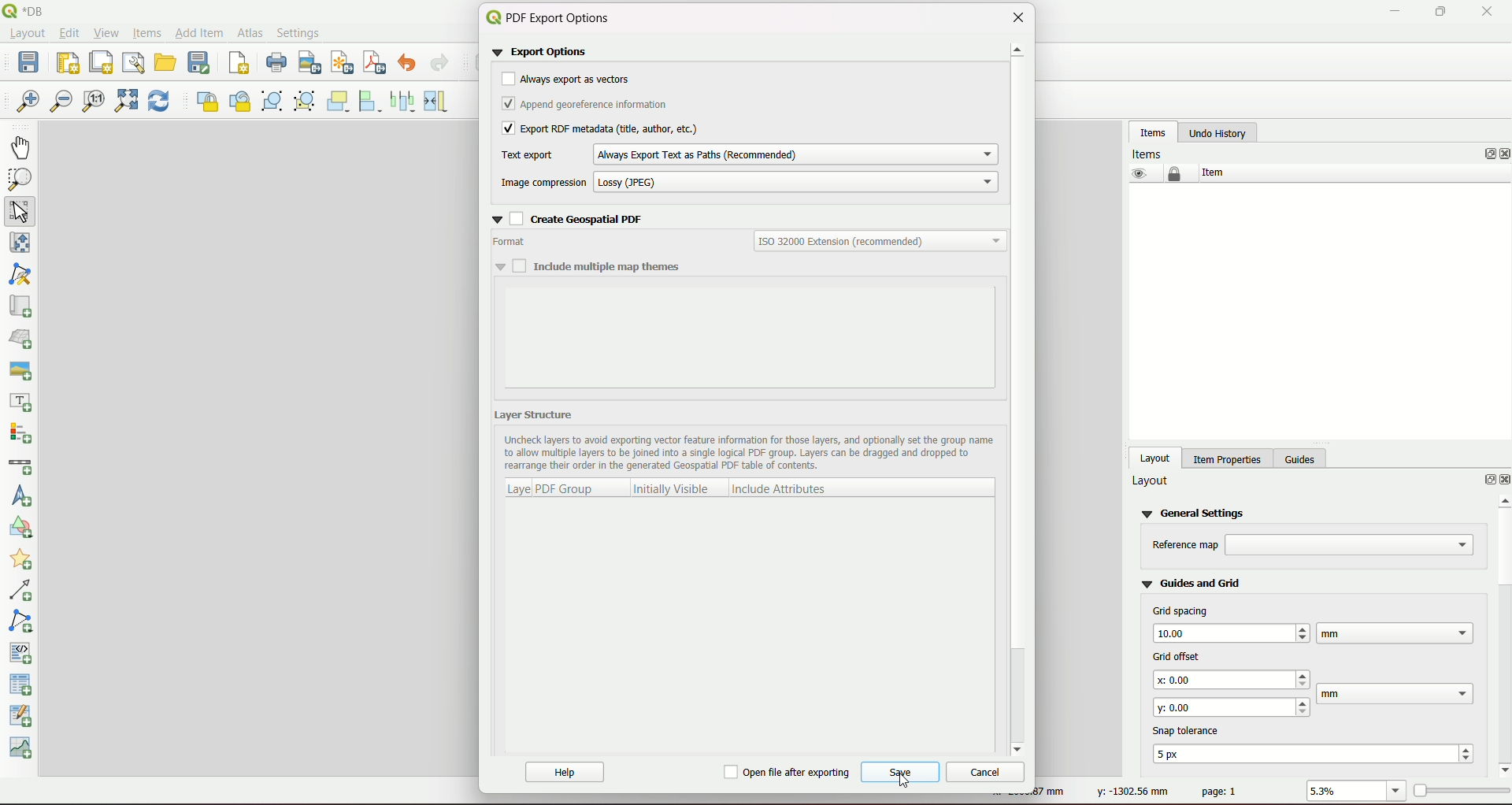  I want to click on distributes left edges, so click(405, 100).